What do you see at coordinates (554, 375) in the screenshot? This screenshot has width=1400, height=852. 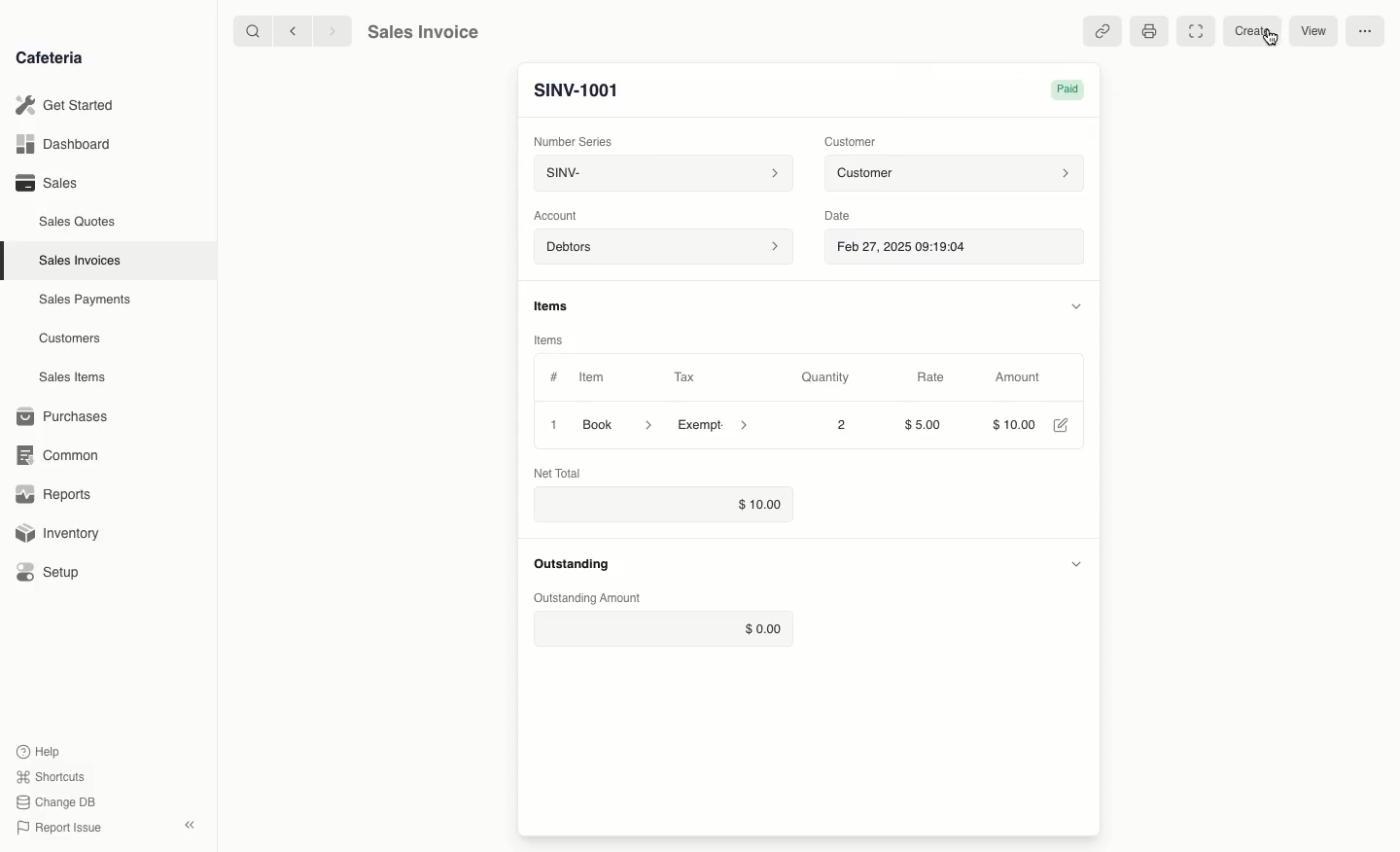 I see `#` at bounding box center [554, 375].